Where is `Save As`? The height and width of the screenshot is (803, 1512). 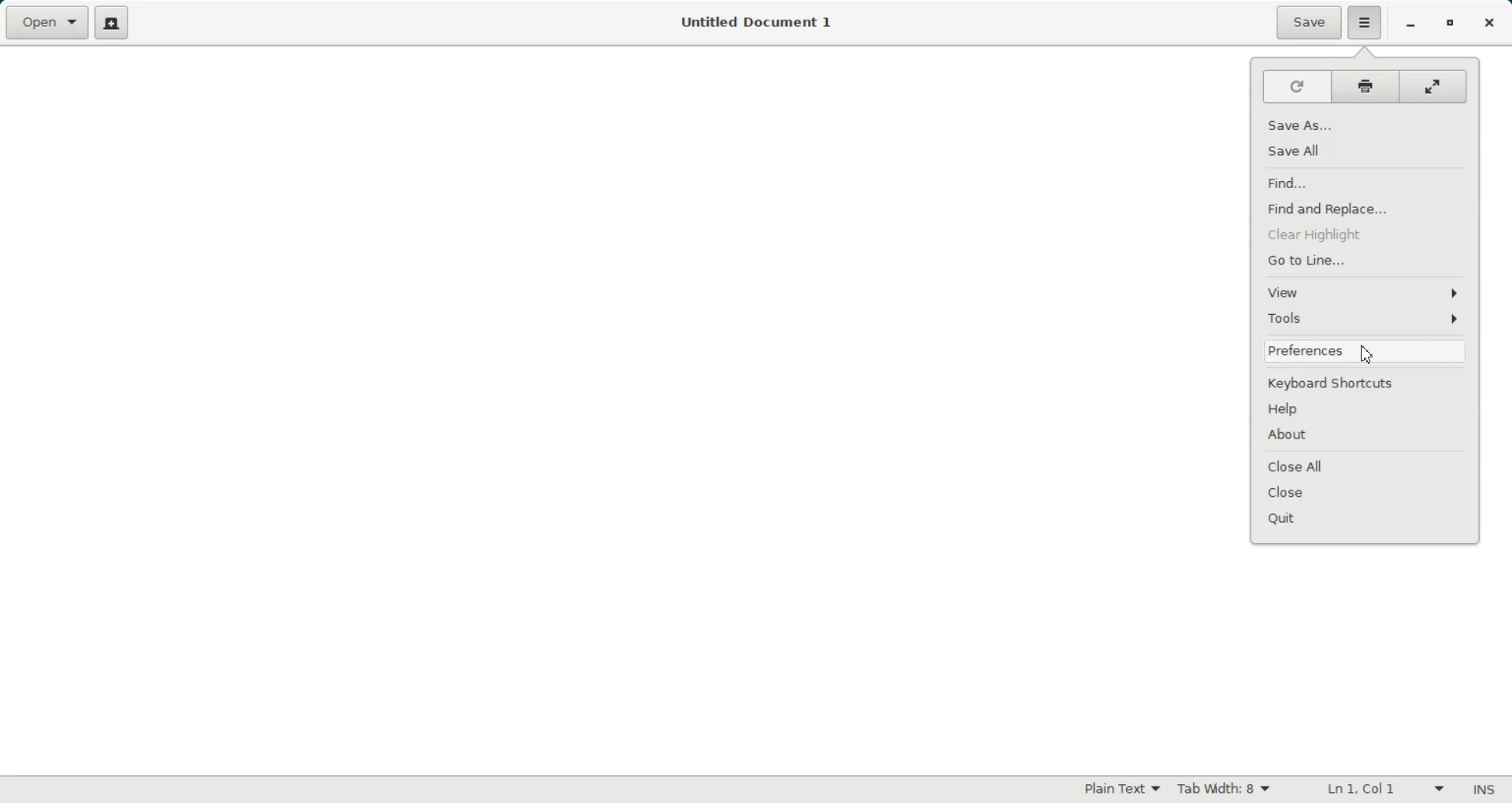
Save As is located at coordinates (1366, 126).